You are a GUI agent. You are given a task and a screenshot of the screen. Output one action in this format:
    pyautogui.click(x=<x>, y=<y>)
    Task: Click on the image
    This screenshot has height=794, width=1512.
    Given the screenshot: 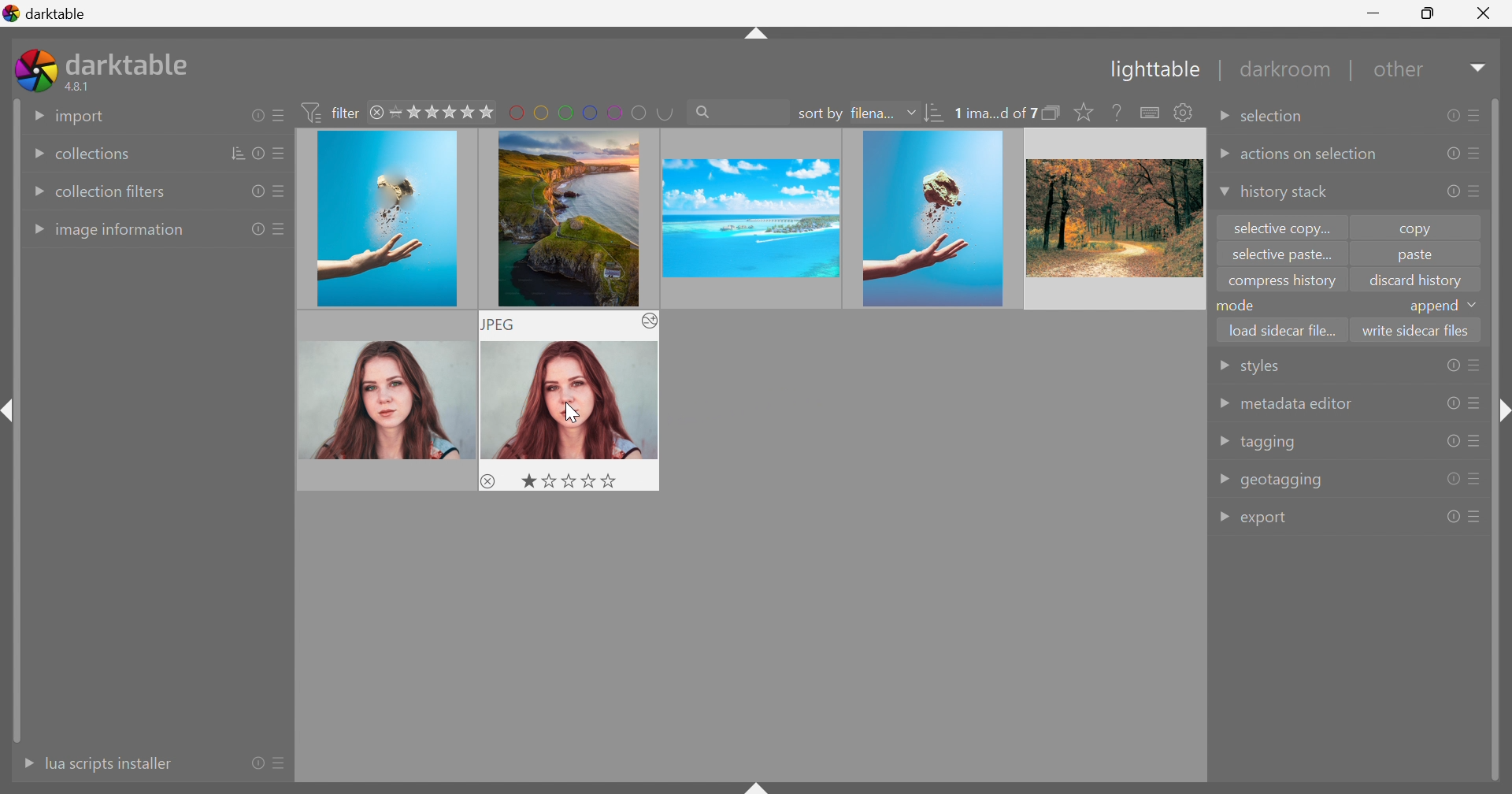 What is the action you would take?
    pyautogui.click(x=1113, y=218)
    